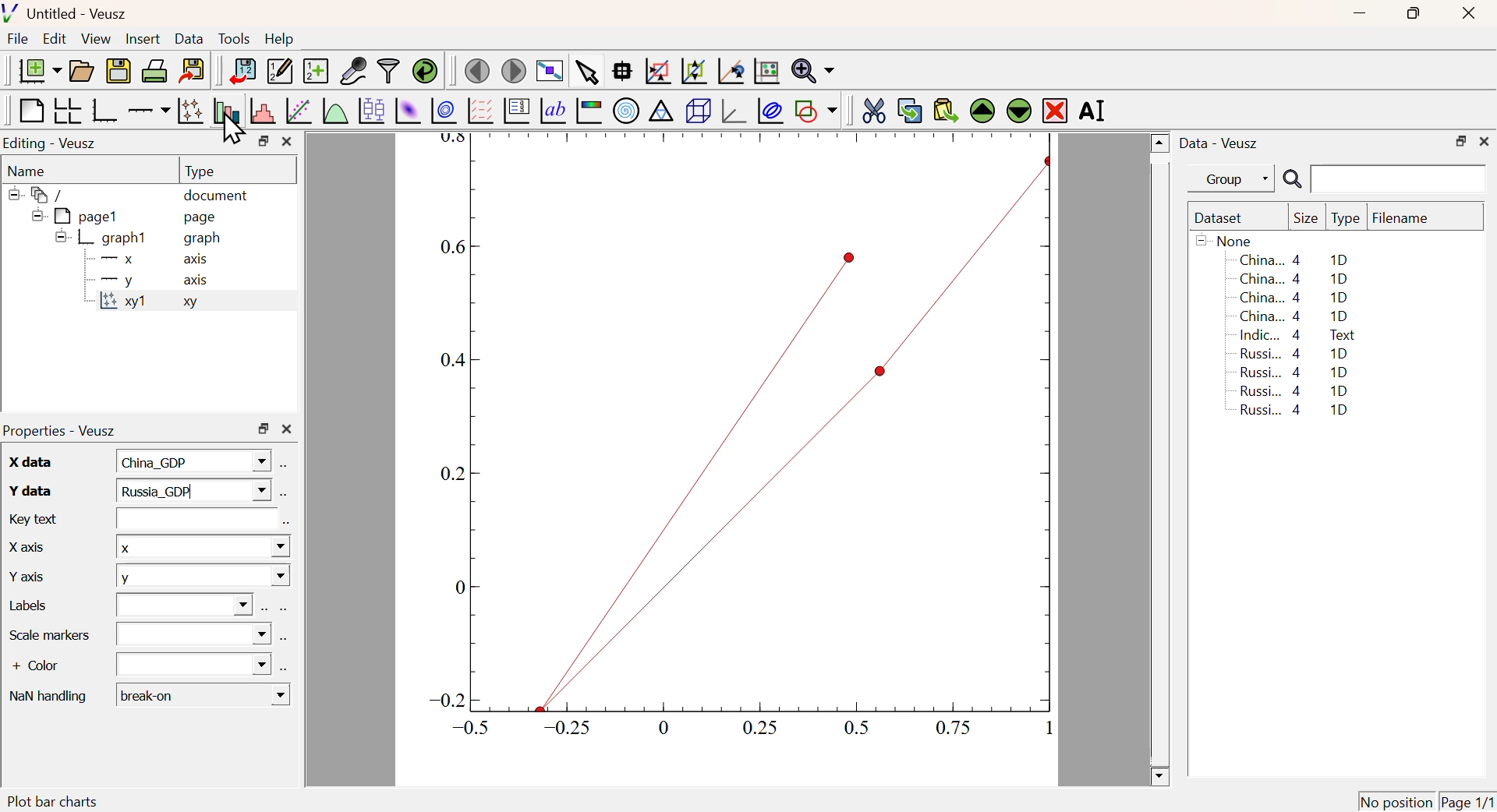 The height and width of the screenshot is (812, 1497). What do you see at coordinates (226, 111) in the screenshot?
I see `Plot bar charts` at bounding box center [226, 111].